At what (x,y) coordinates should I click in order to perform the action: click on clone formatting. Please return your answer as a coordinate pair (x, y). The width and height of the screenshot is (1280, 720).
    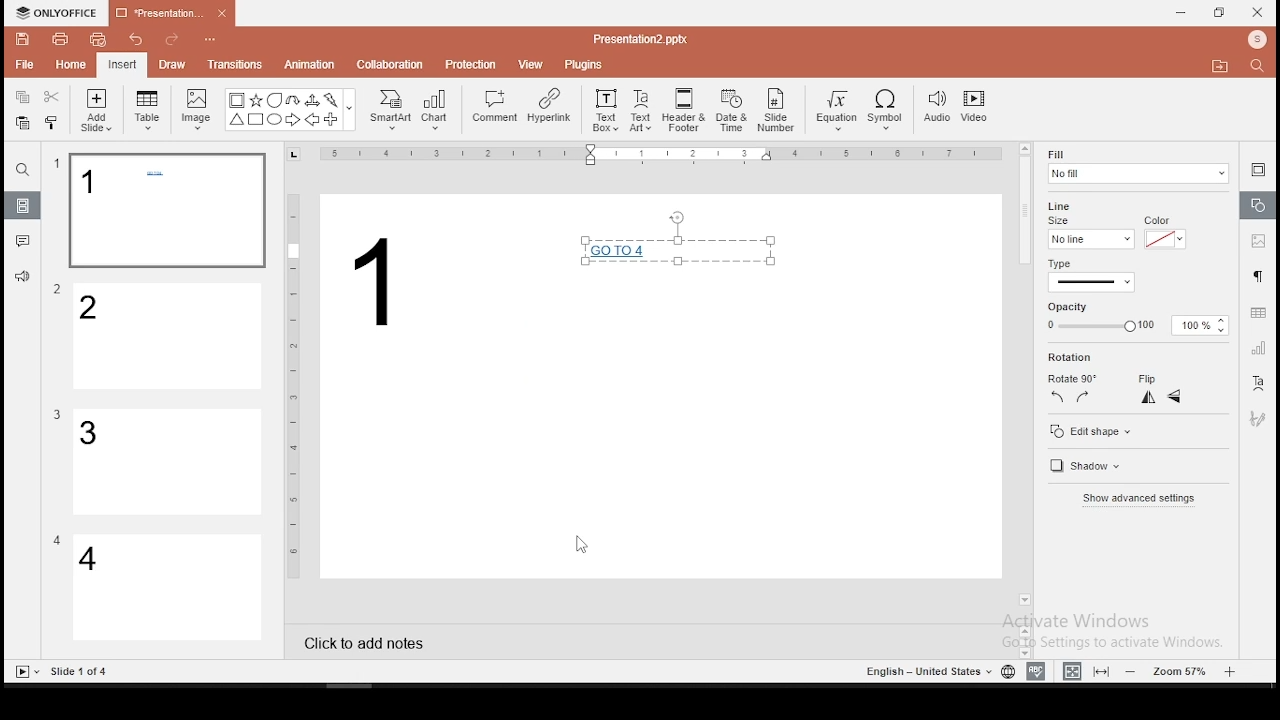
    Looking at the image, I should click on (55, 125).